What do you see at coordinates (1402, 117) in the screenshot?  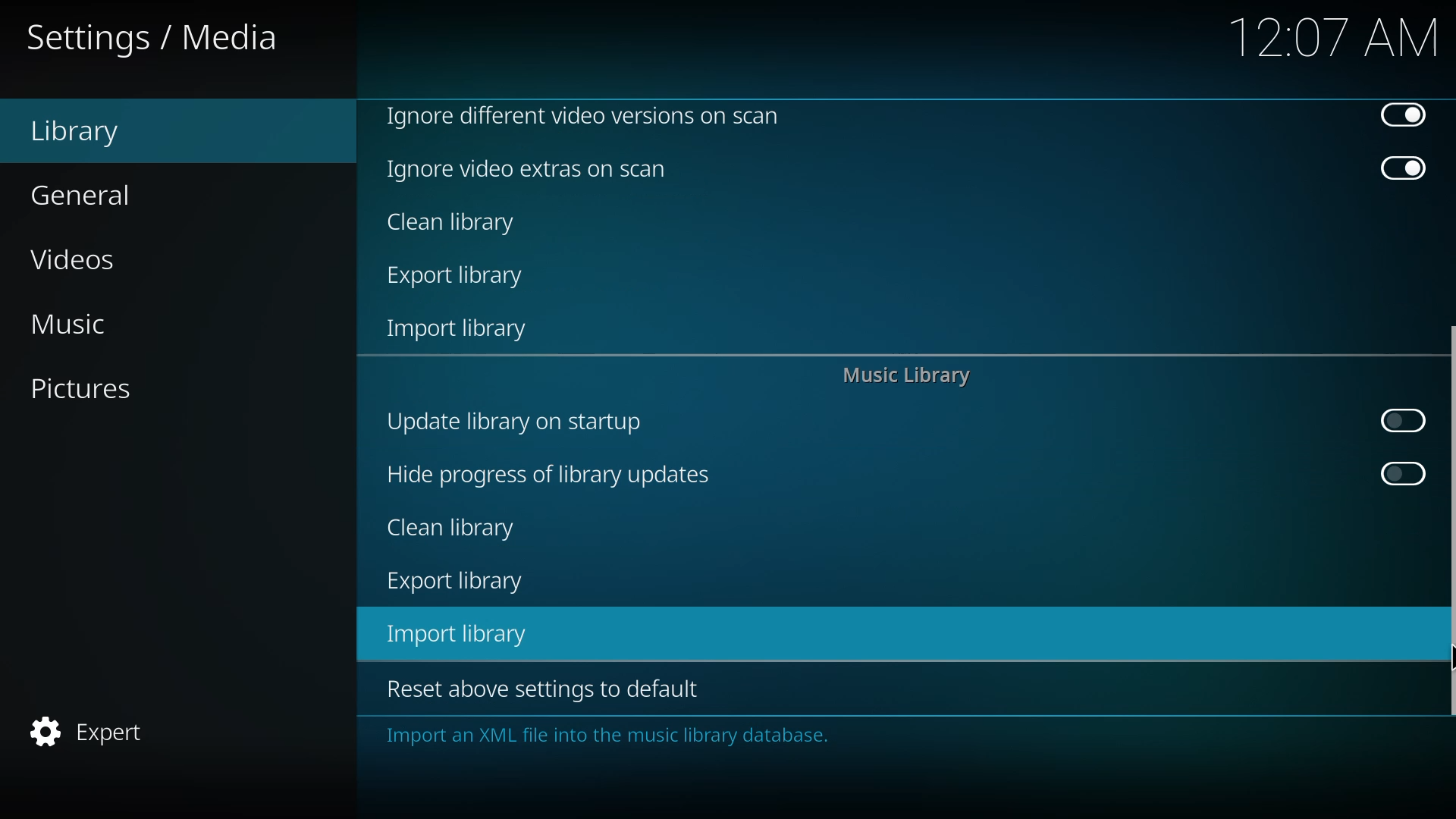 I see `disabled` at bounding box center [1402, 117].